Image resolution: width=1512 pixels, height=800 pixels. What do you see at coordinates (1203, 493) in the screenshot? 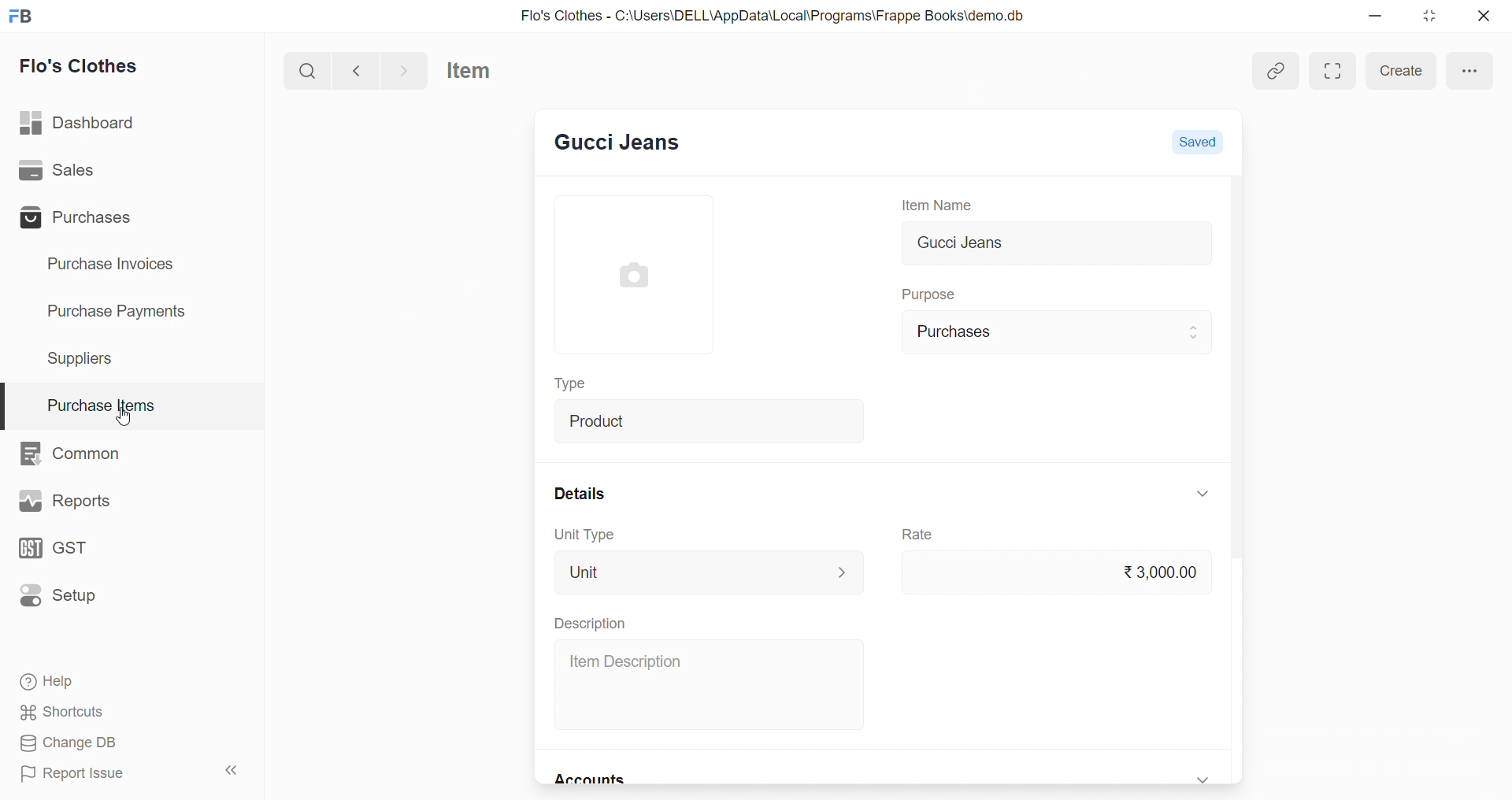
I see `expand/collapse` at bounding box center [1203, 493].